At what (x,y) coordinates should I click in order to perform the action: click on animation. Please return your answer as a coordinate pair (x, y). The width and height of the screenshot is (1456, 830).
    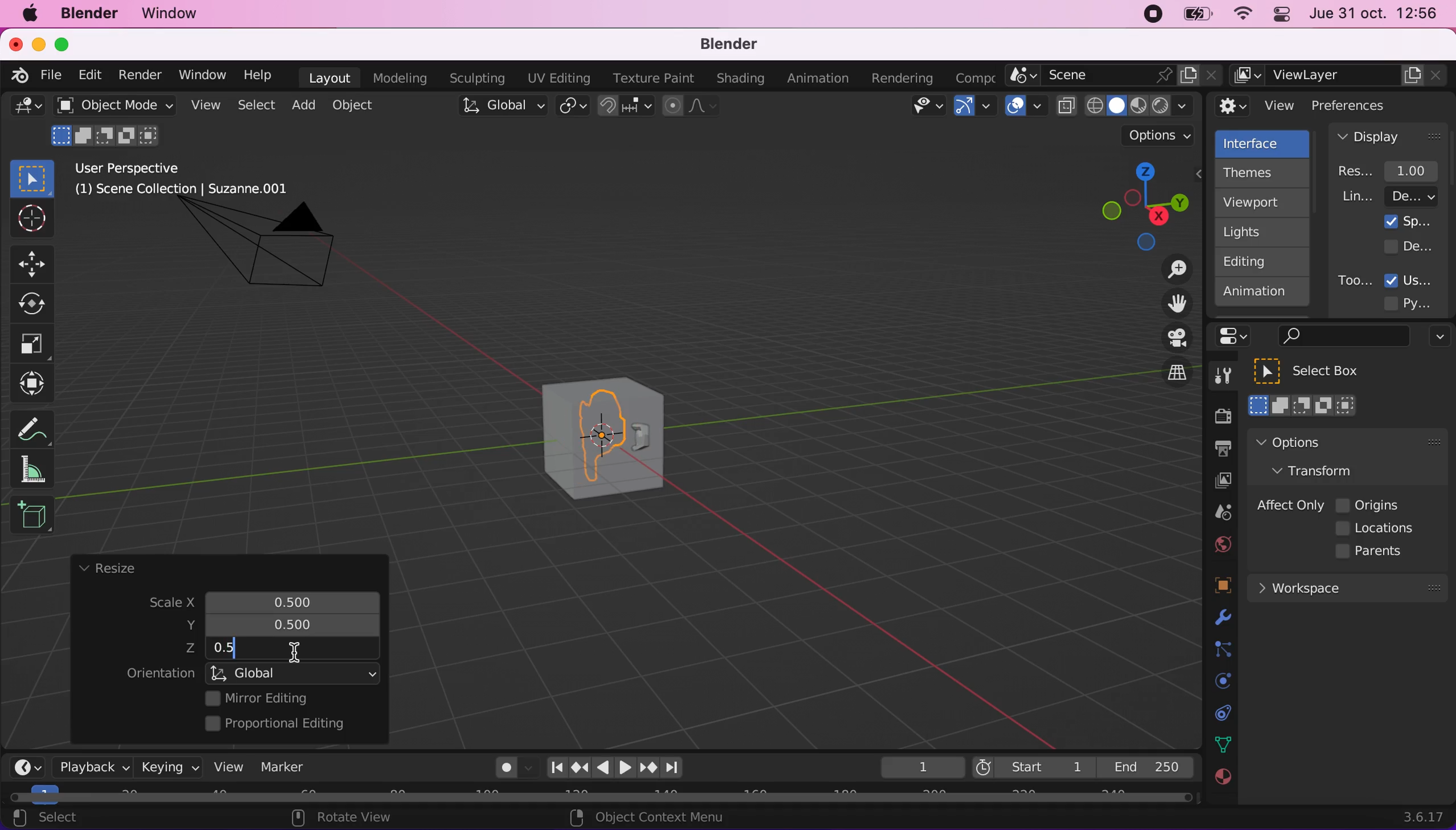
    Looking at the image, I should click on (821, 79).